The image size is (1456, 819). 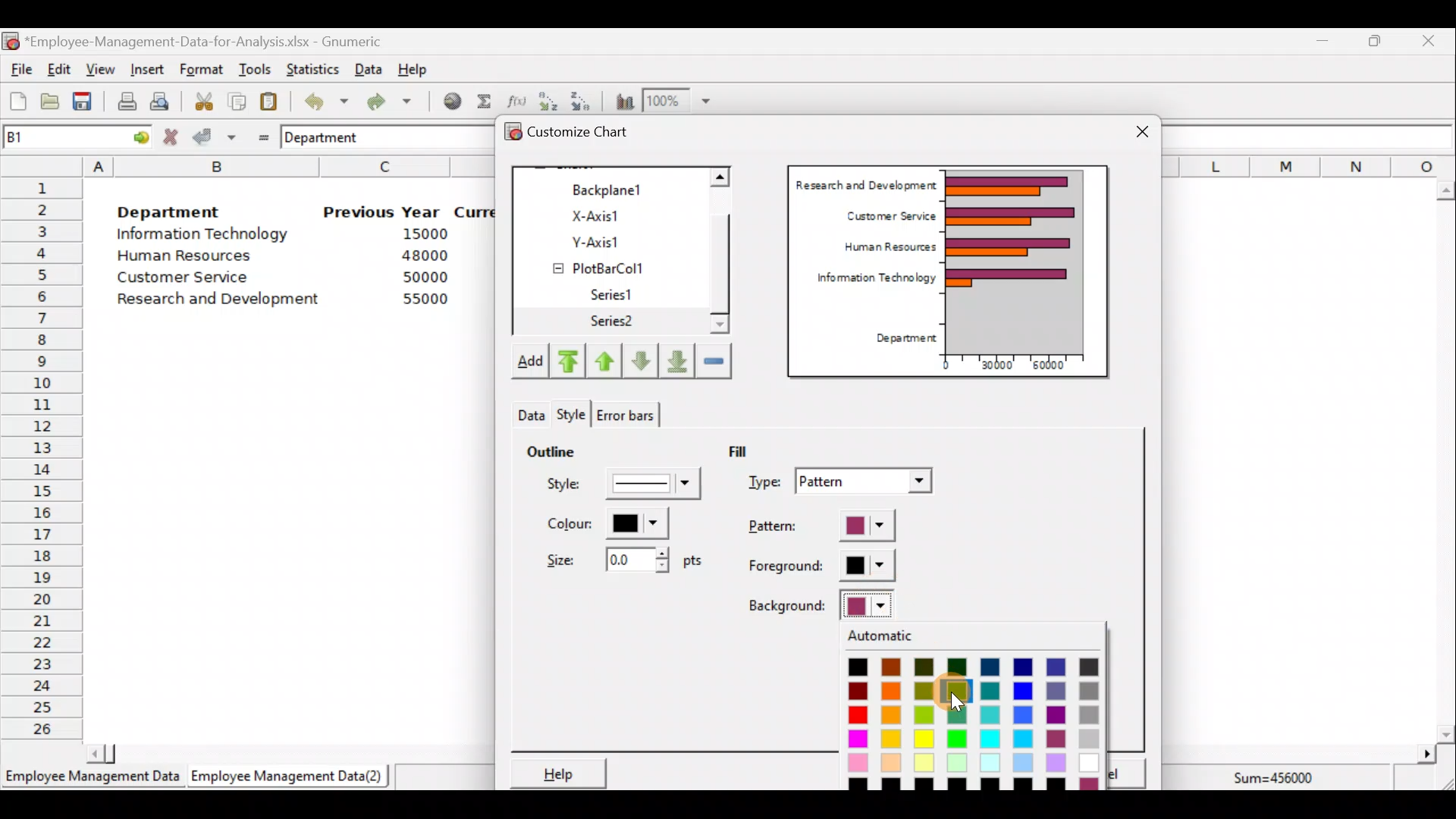 What do you see at coordinates (91, 781) in the screenshot?
I see `Employee Management Data` at bounding box center [91, 781].